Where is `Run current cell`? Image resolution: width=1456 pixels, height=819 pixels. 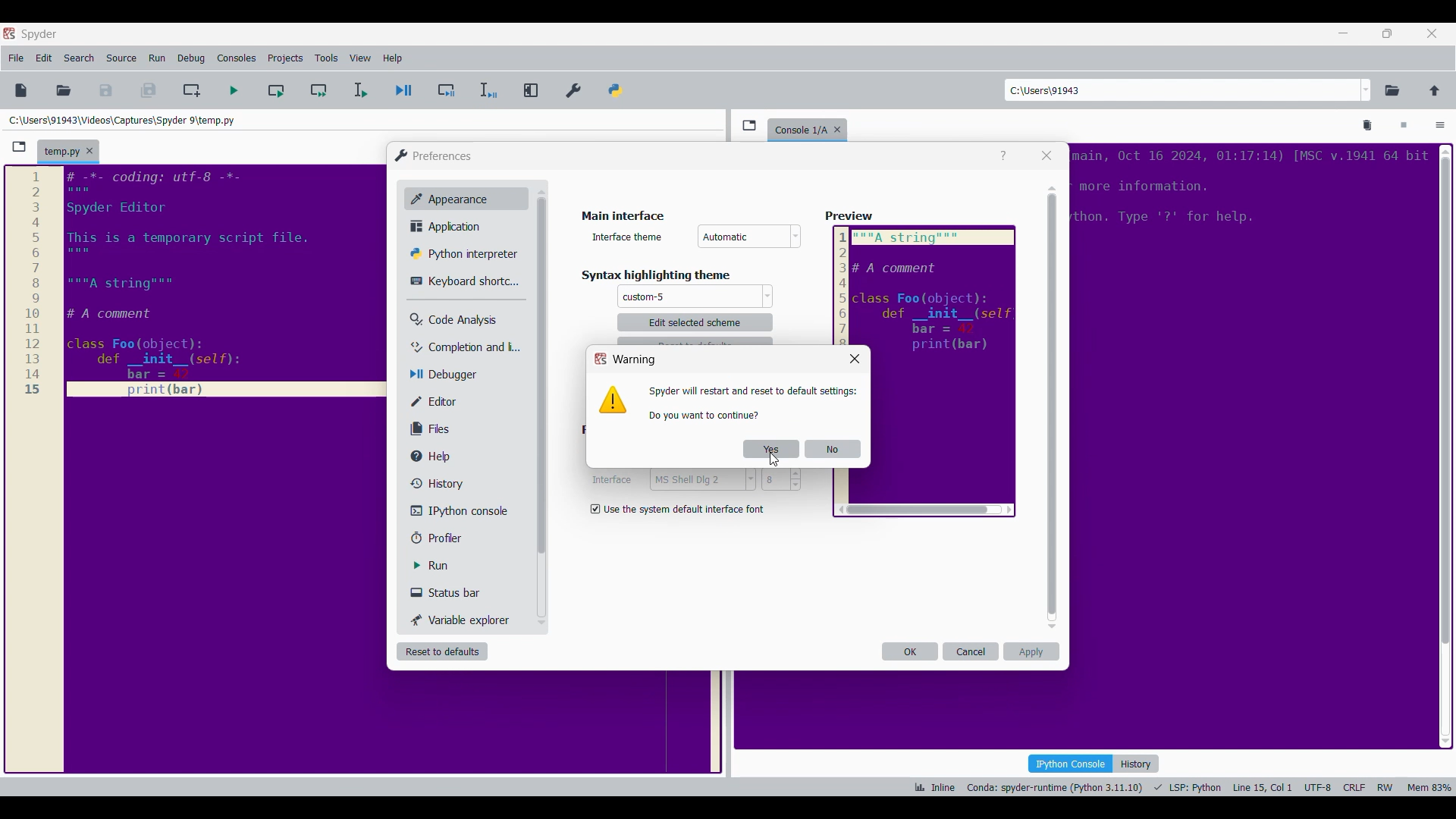
Run current cell is located at coordinates (278, 90).